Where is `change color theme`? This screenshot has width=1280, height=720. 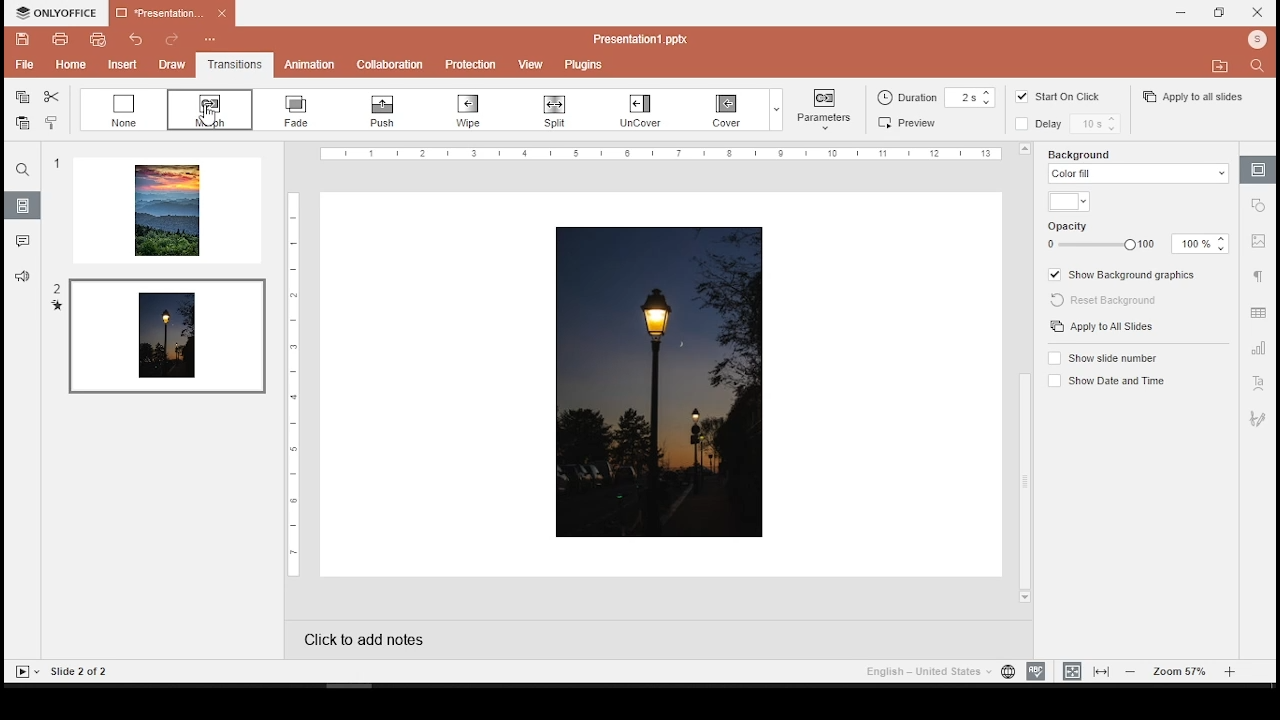
change color theme is located at coordinates (738, 107).